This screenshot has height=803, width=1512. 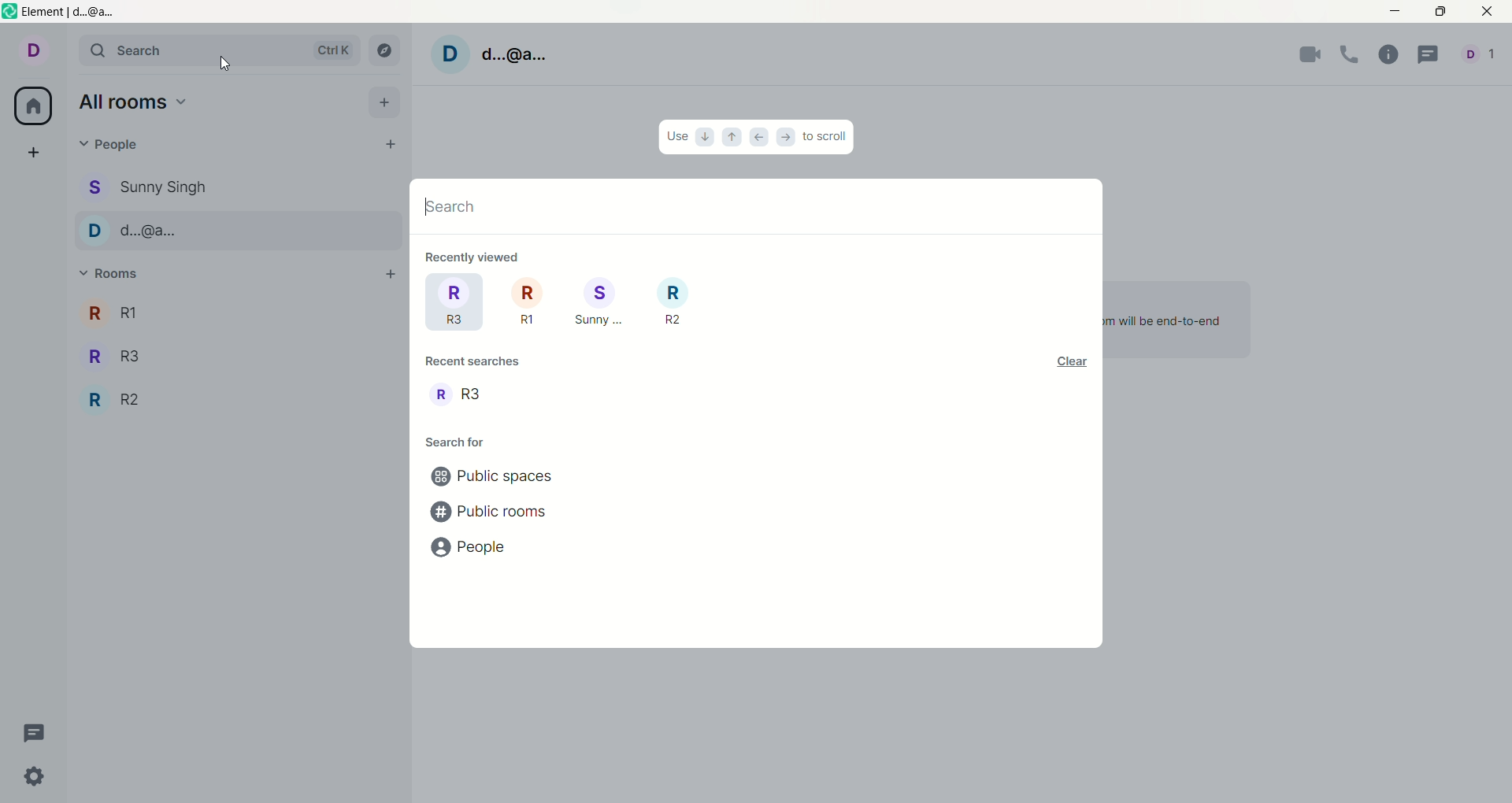 I want to click on to scroll, so click(x=823, y=134).